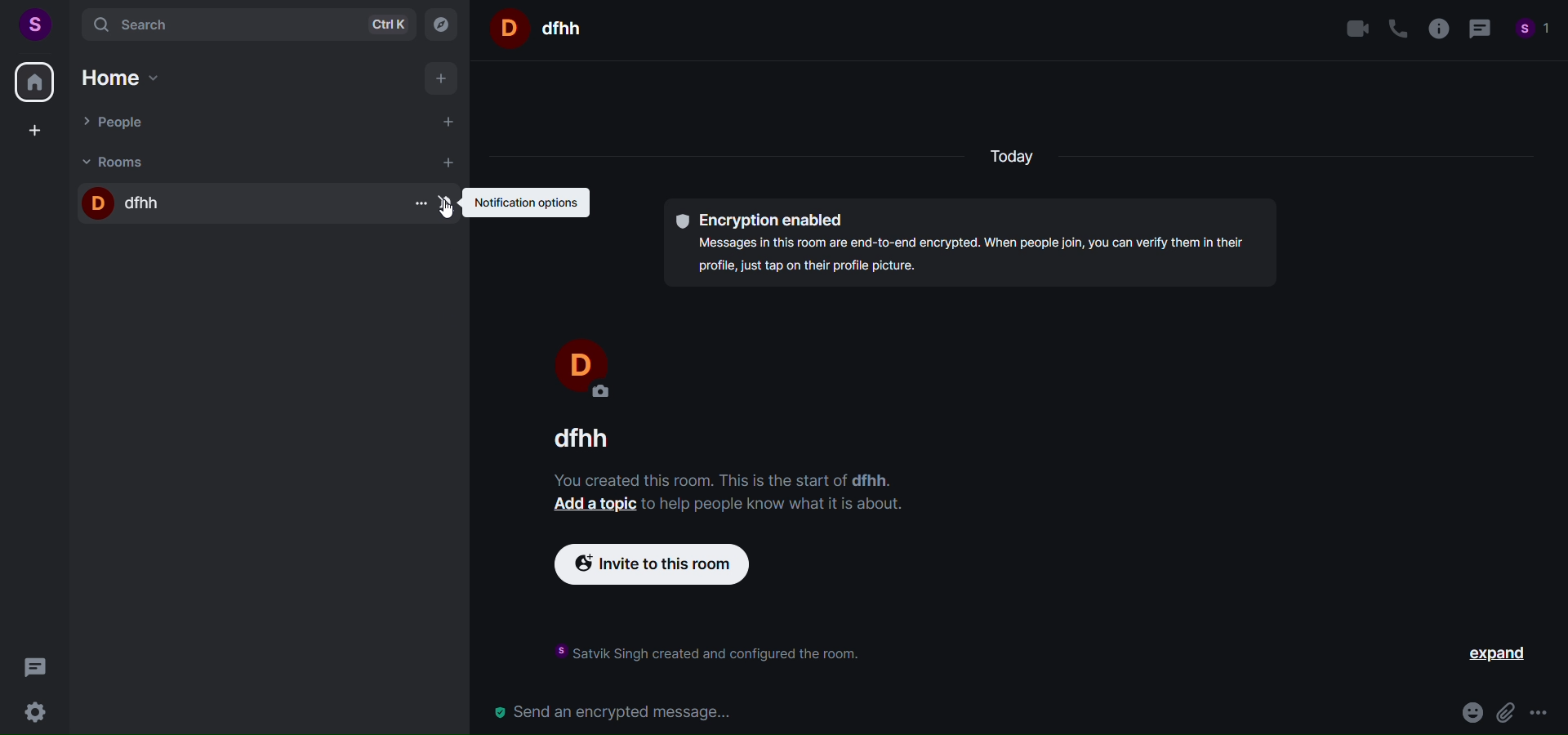 The height and width of the screenshot is (735, 1568). What do you see at coordinates (440, 81) in the screenshot?
I see `add` at bounding box center [440, 81].